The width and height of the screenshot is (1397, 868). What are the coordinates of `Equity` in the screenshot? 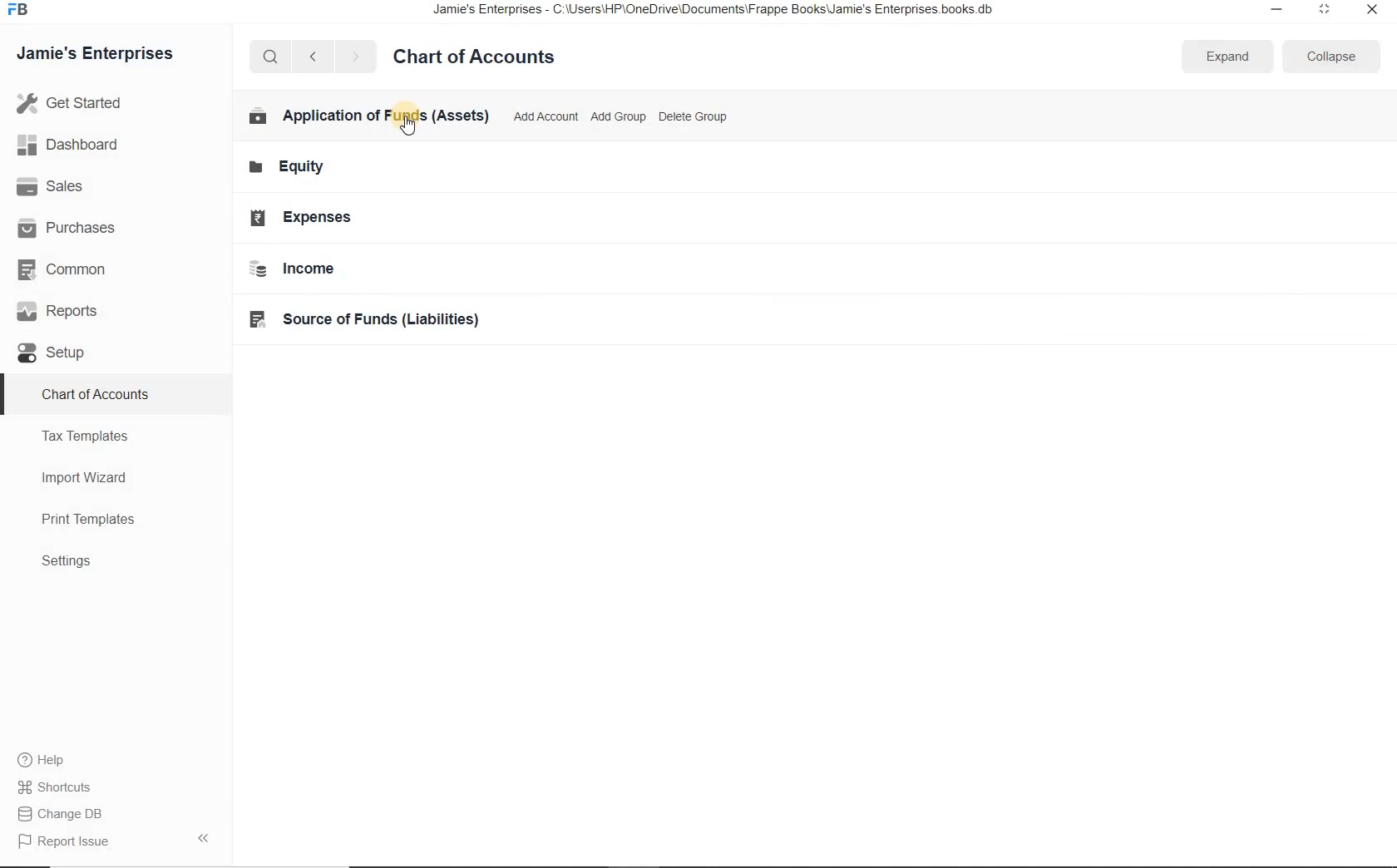 It's located at (297, 167).